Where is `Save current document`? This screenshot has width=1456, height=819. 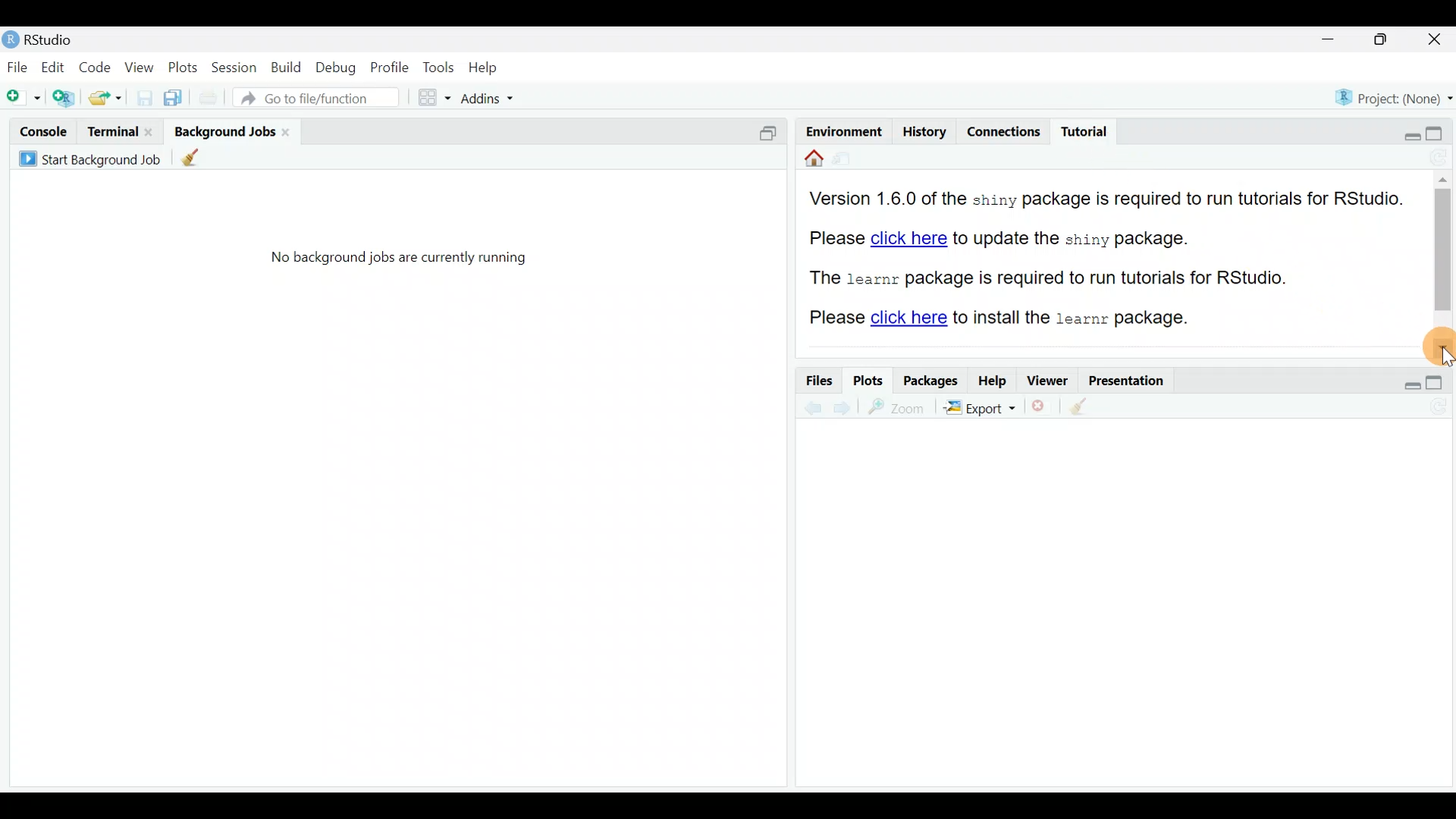
Save current document is located at coordinates (141, 98).